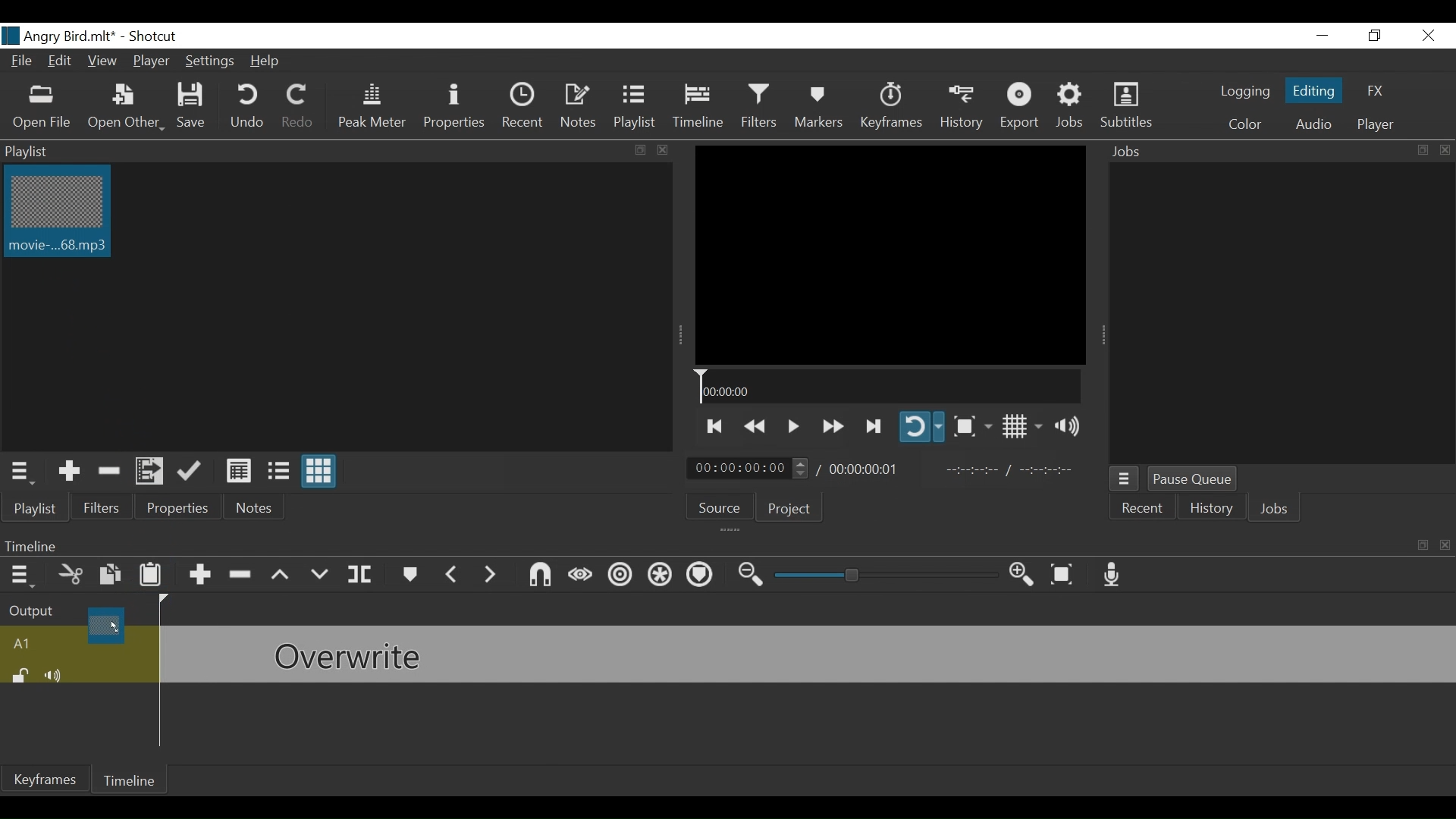 This screenshot has width=1456, height=819. Describe the element at coordinates (108, 630) in the screenshot. I see `Clip` at that location.